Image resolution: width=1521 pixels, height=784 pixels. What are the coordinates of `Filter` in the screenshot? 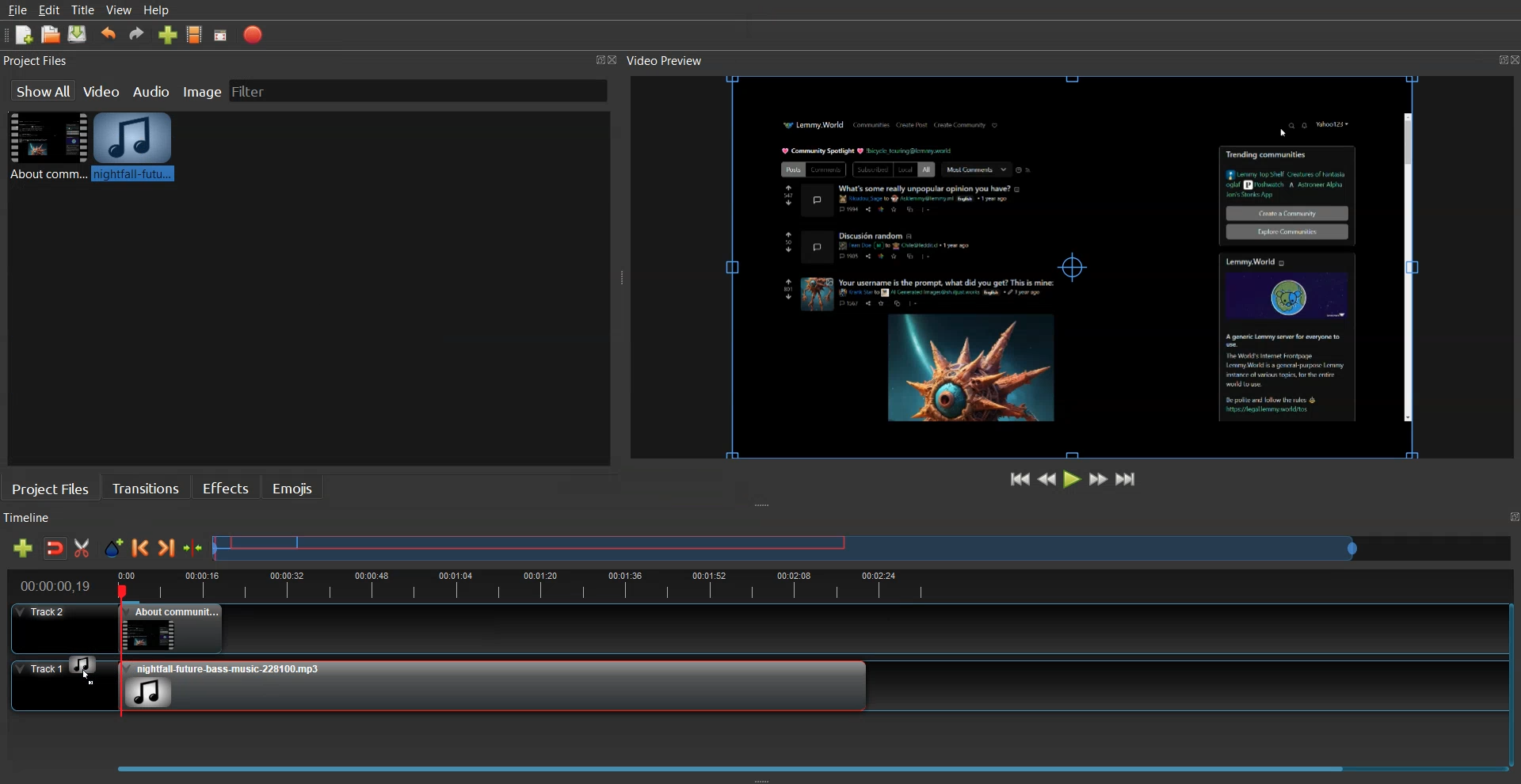 It's located at (262, 90).